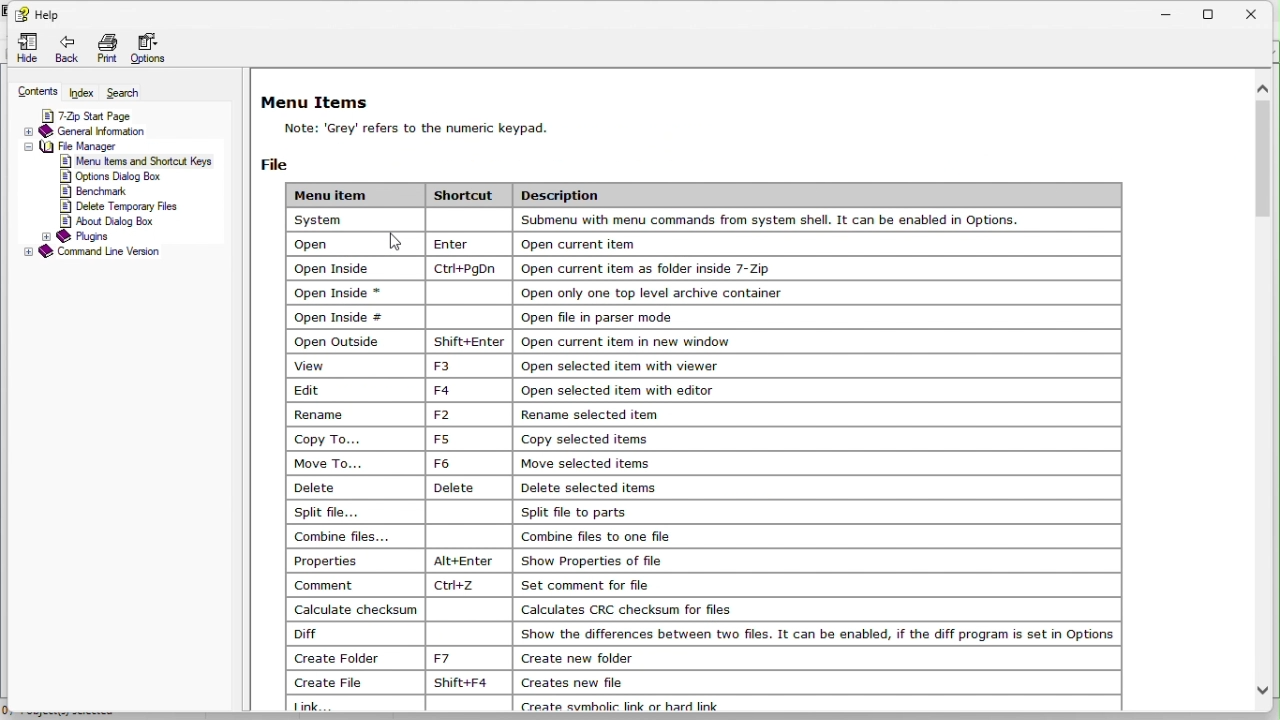  I want to click on Index, so click(83, 91).